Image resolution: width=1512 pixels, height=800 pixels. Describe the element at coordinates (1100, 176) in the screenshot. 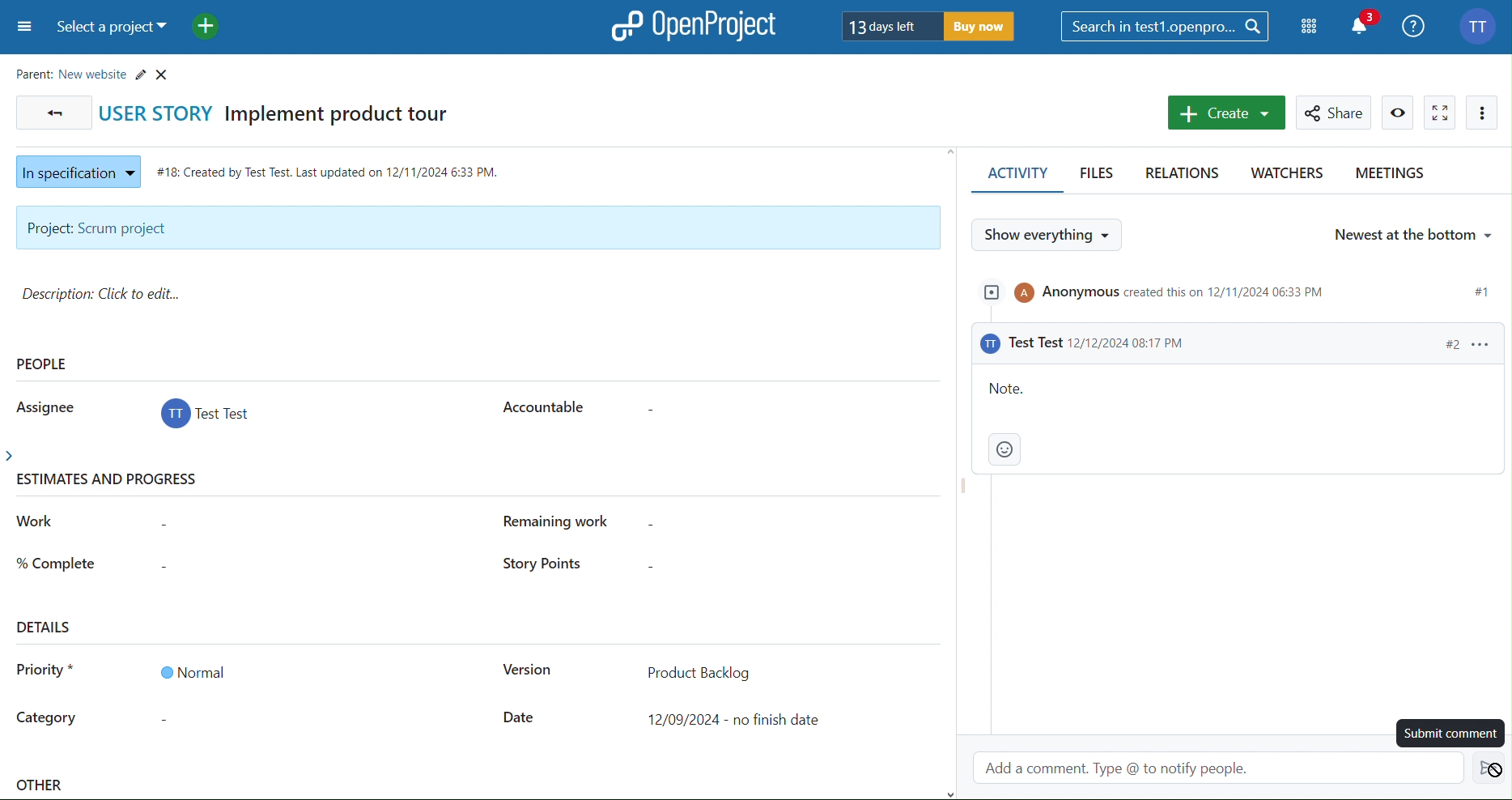

I see `Files` at that location.